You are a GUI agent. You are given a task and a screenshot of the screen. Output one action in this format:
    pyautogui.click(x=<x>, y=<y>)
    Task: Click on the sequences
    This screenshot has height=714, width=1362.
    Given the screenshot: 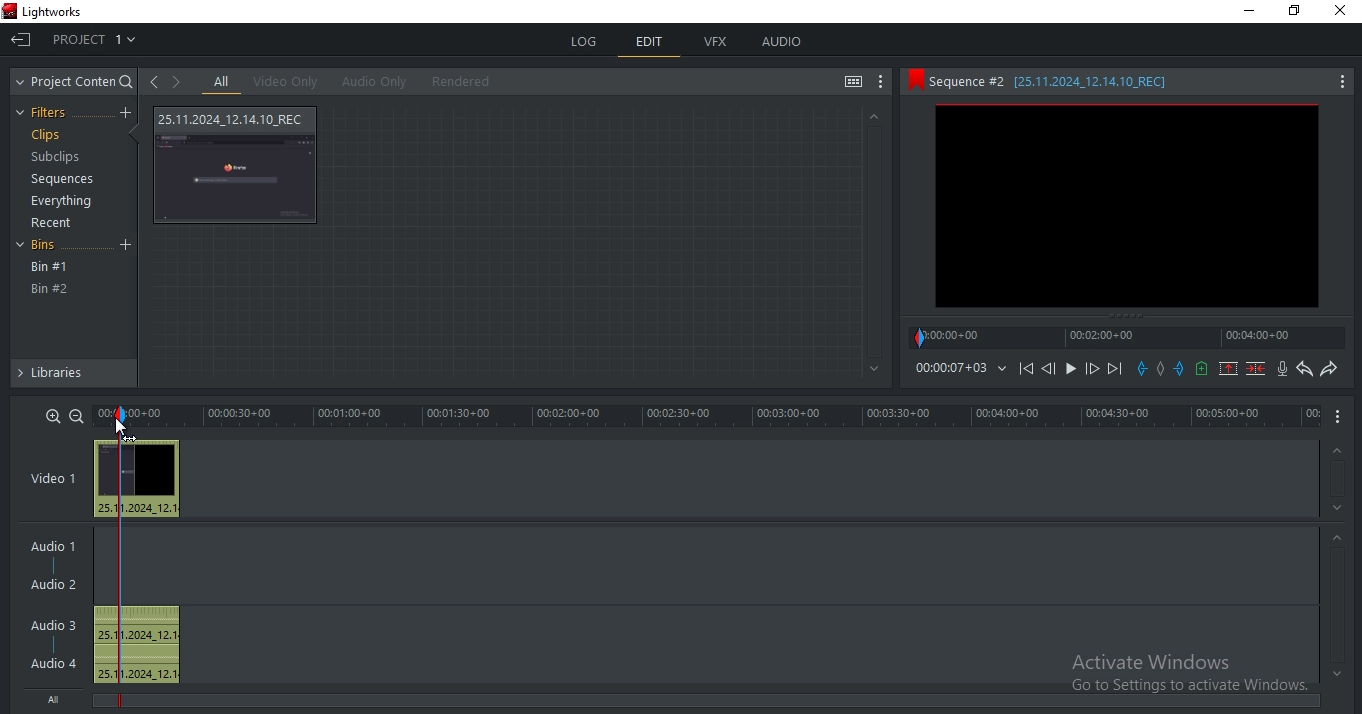 What is the action you would take?
    pyautogui.click(x=57, y=181)
    